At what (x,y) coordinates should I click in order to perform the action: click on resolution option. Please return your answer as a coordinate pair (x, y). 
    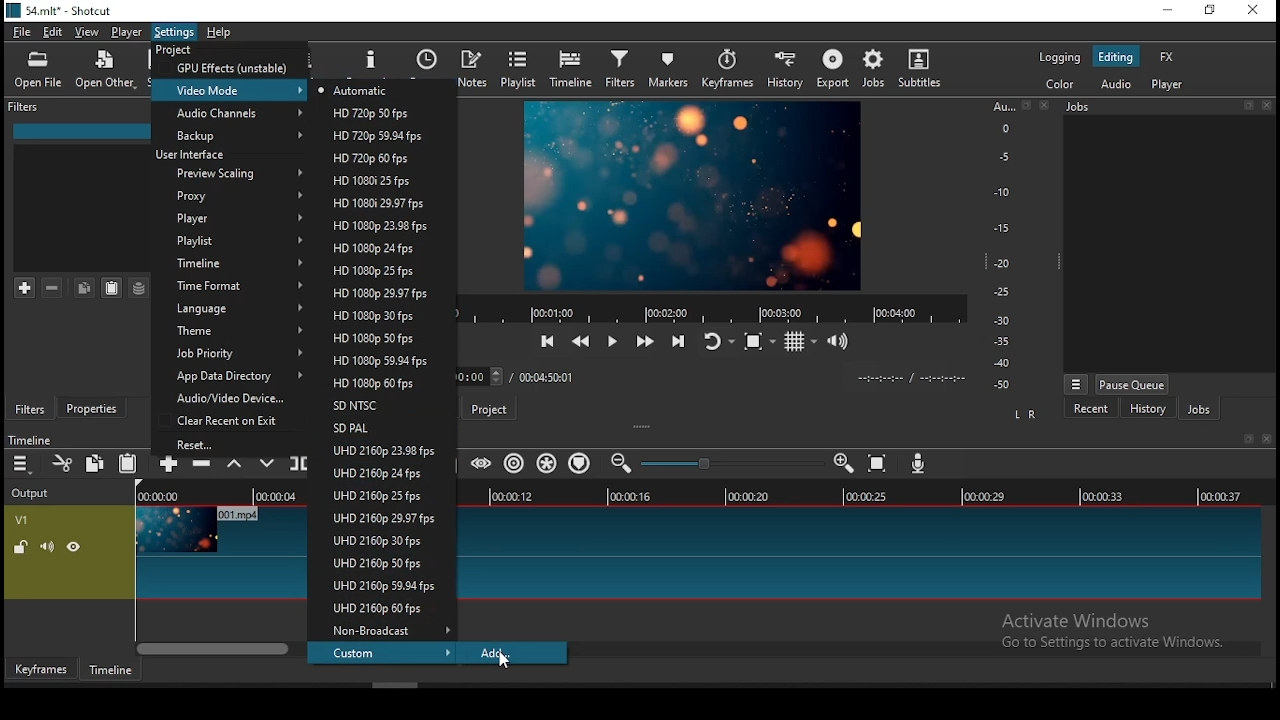
    Looking at the image, I should click on (381, 474).